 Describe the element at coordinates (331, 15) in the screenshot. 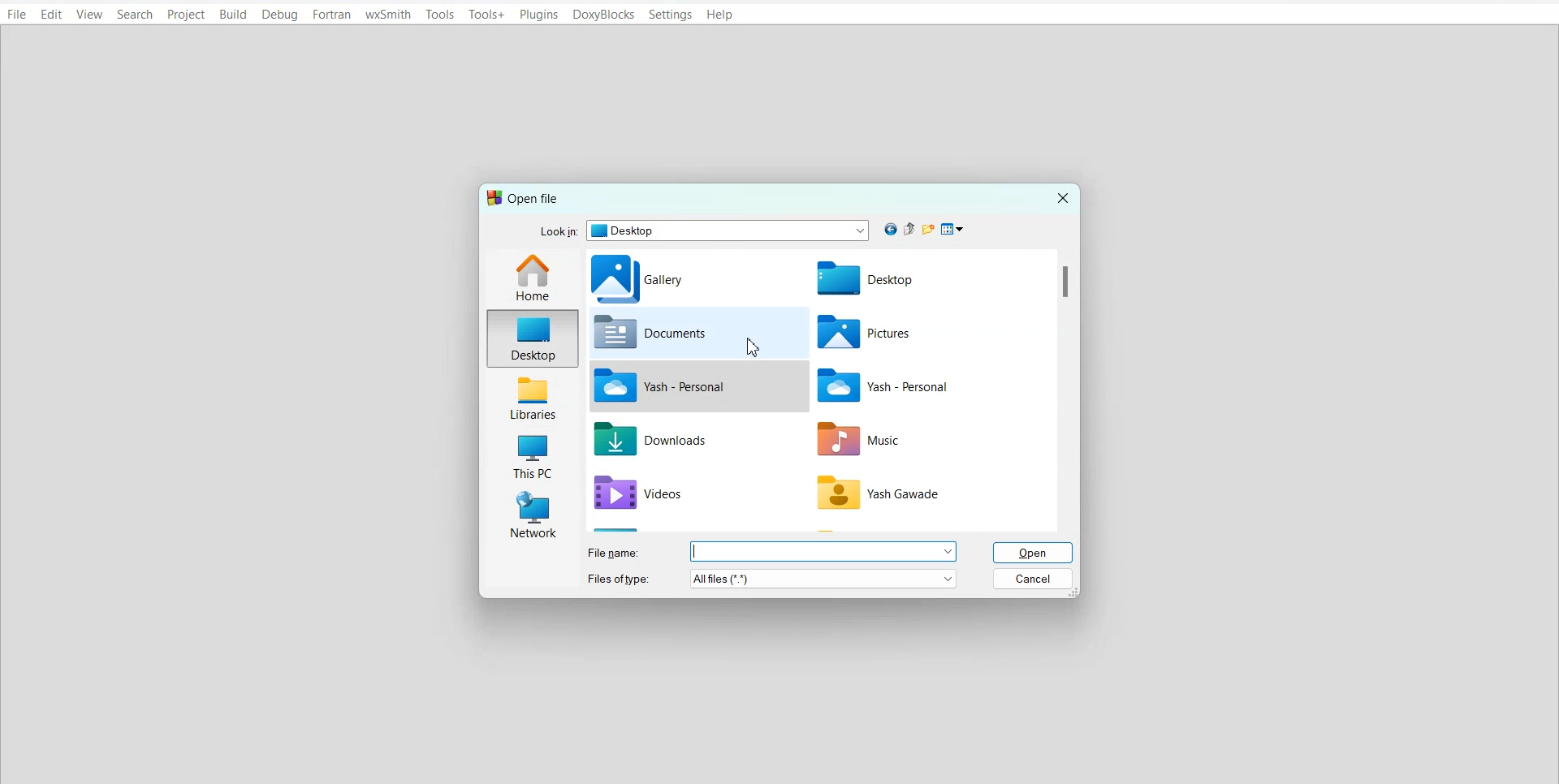

I see `Fortran` at that location.